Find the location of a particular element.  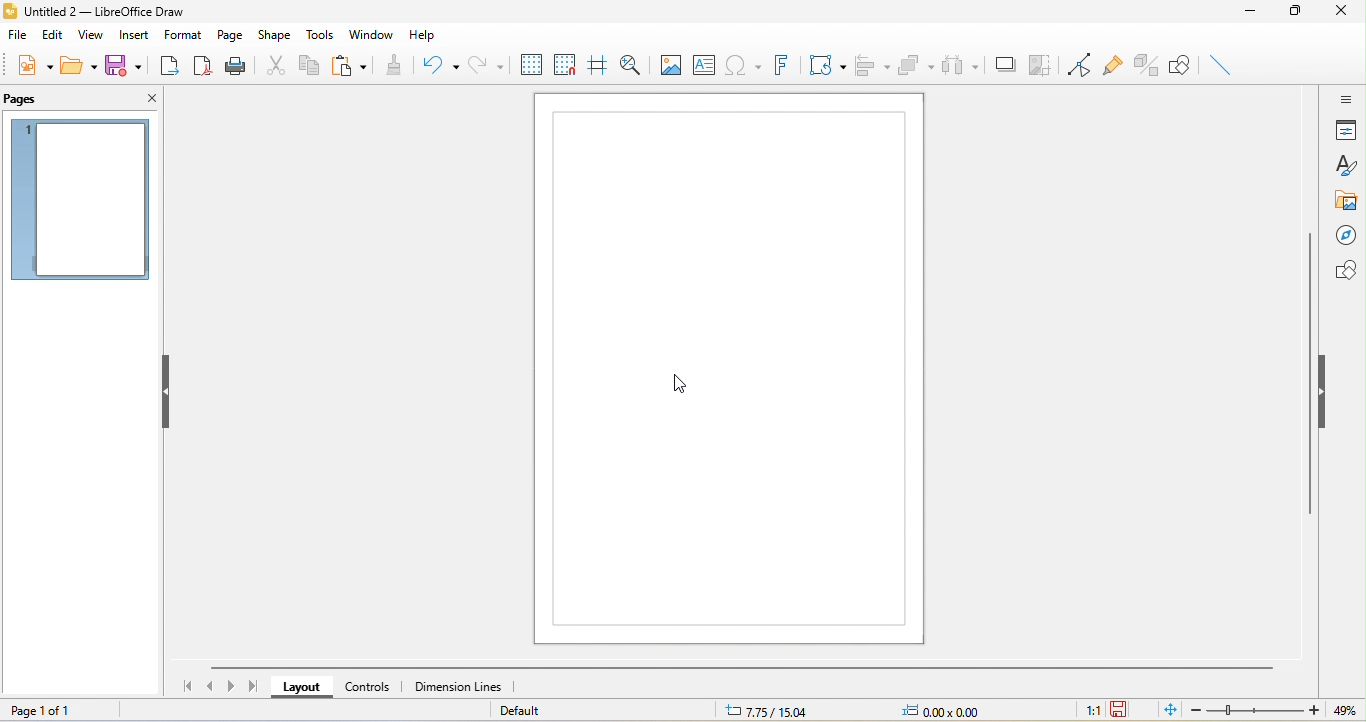

file is located at coordinates (19, 33).